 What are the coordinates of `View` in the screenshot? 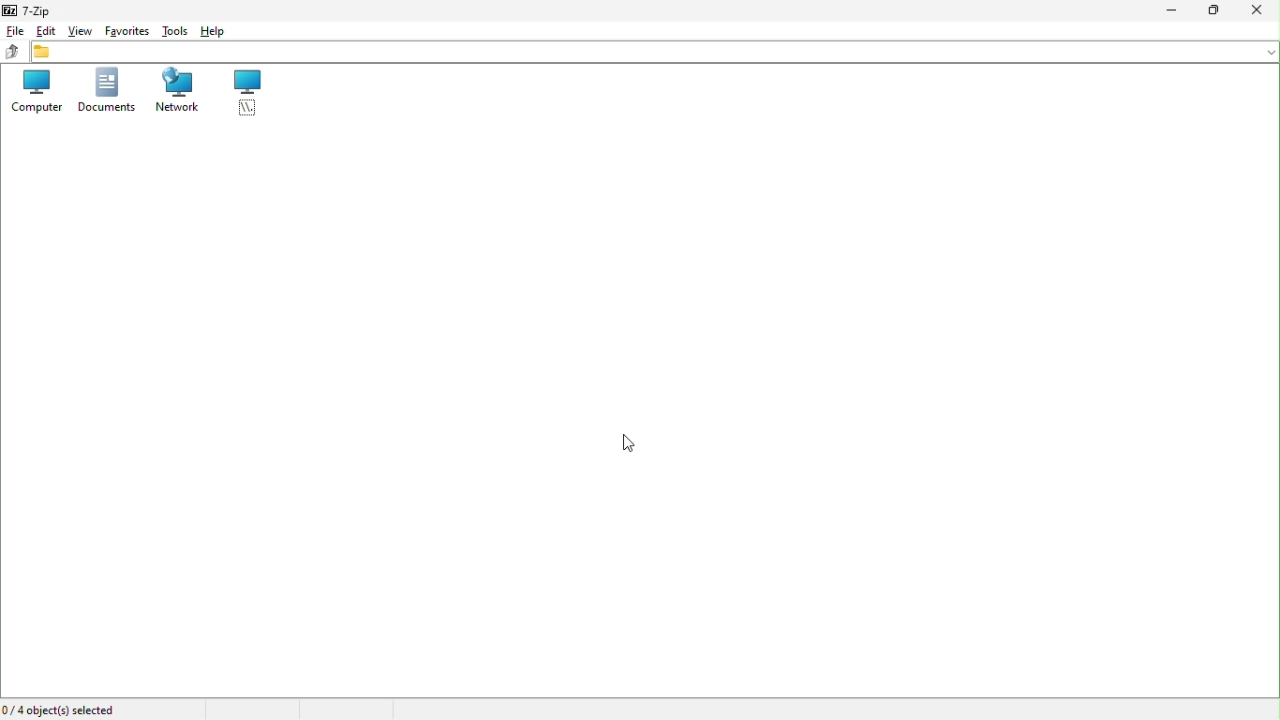 It's located at (76, 30).